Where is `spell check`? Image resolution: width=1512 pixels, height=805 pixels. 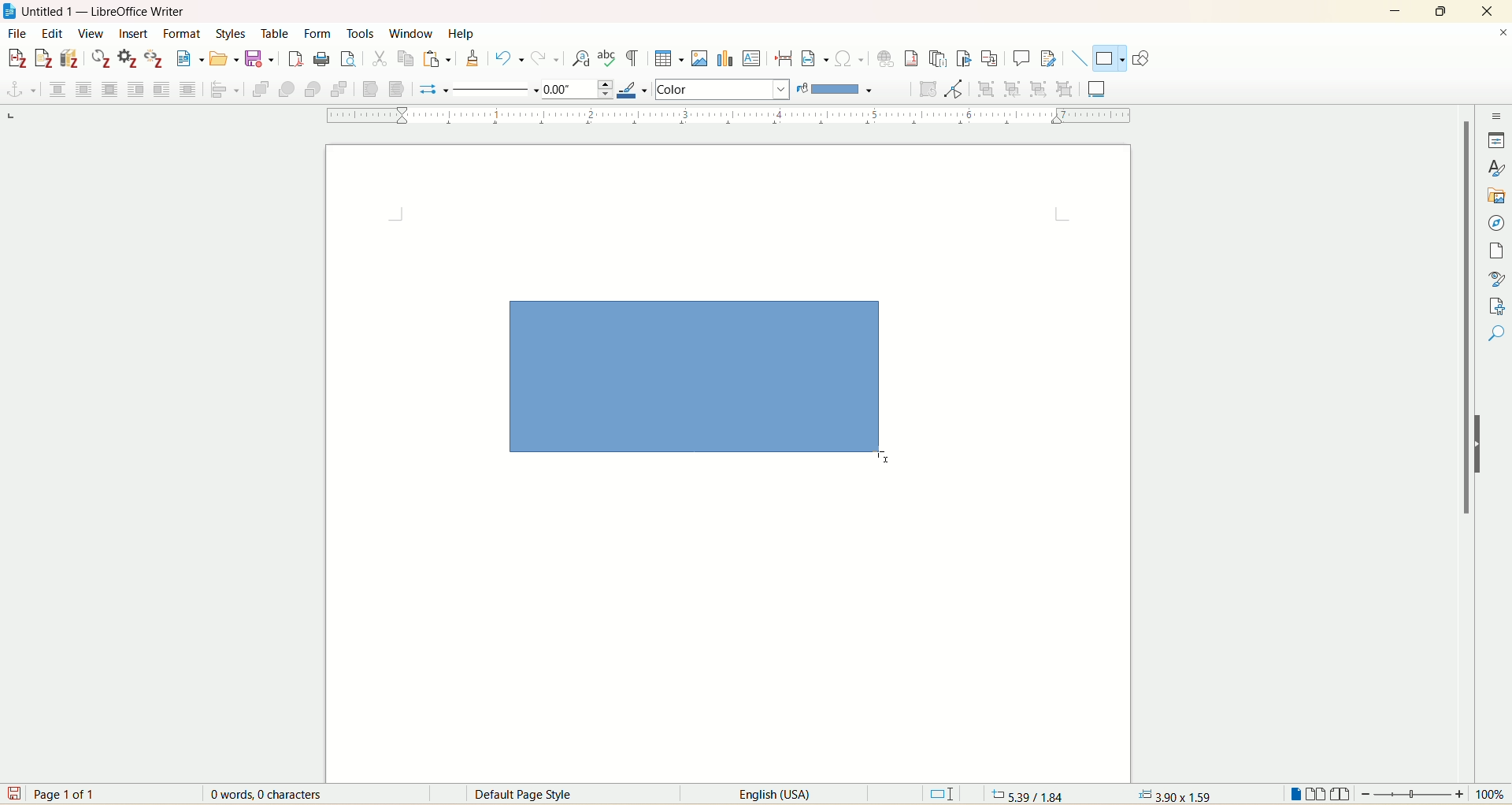
spell check is located at coordinates (608, 59).